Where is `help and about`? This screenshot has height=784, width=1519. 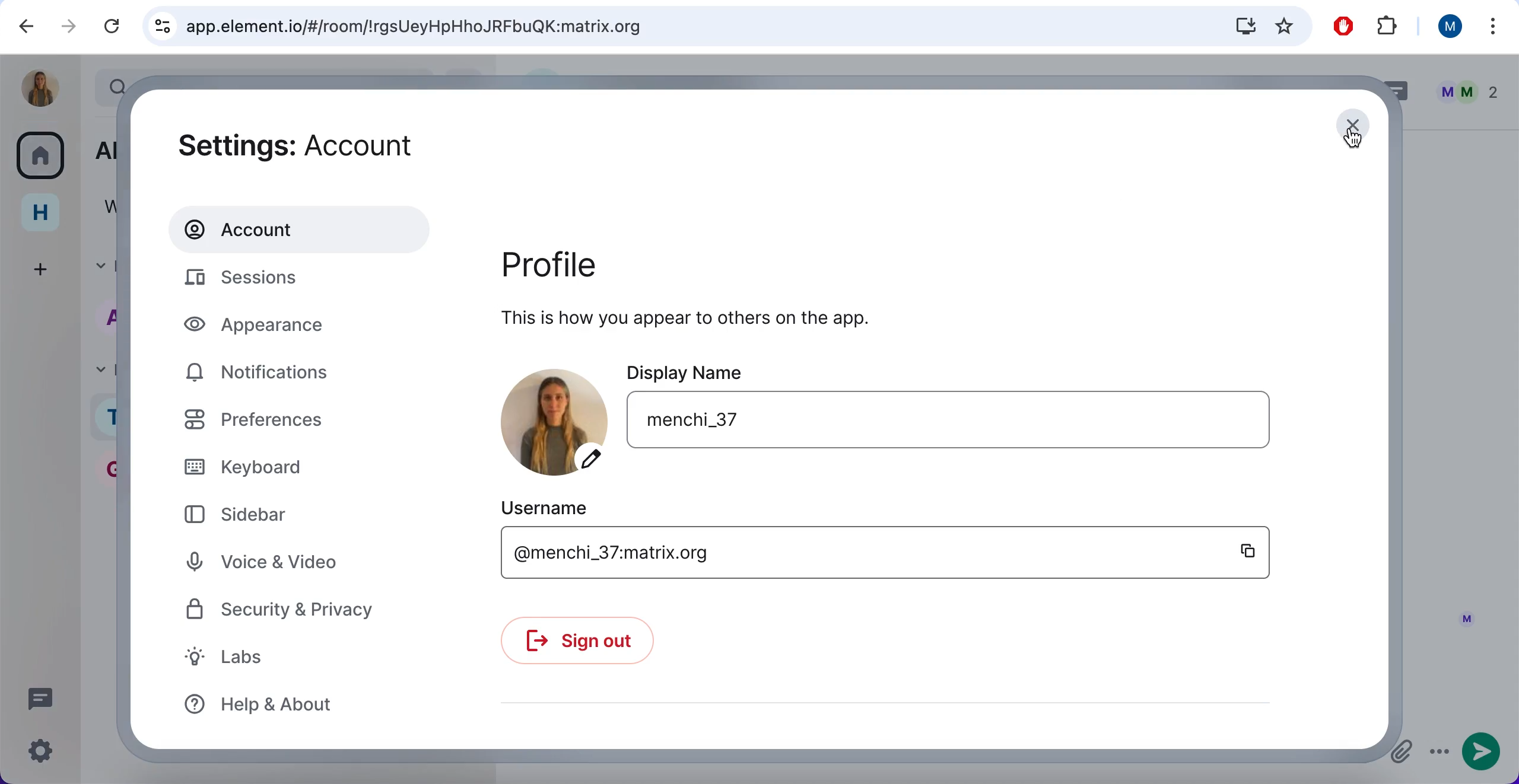 help and about is located at coordinates (279, 706).